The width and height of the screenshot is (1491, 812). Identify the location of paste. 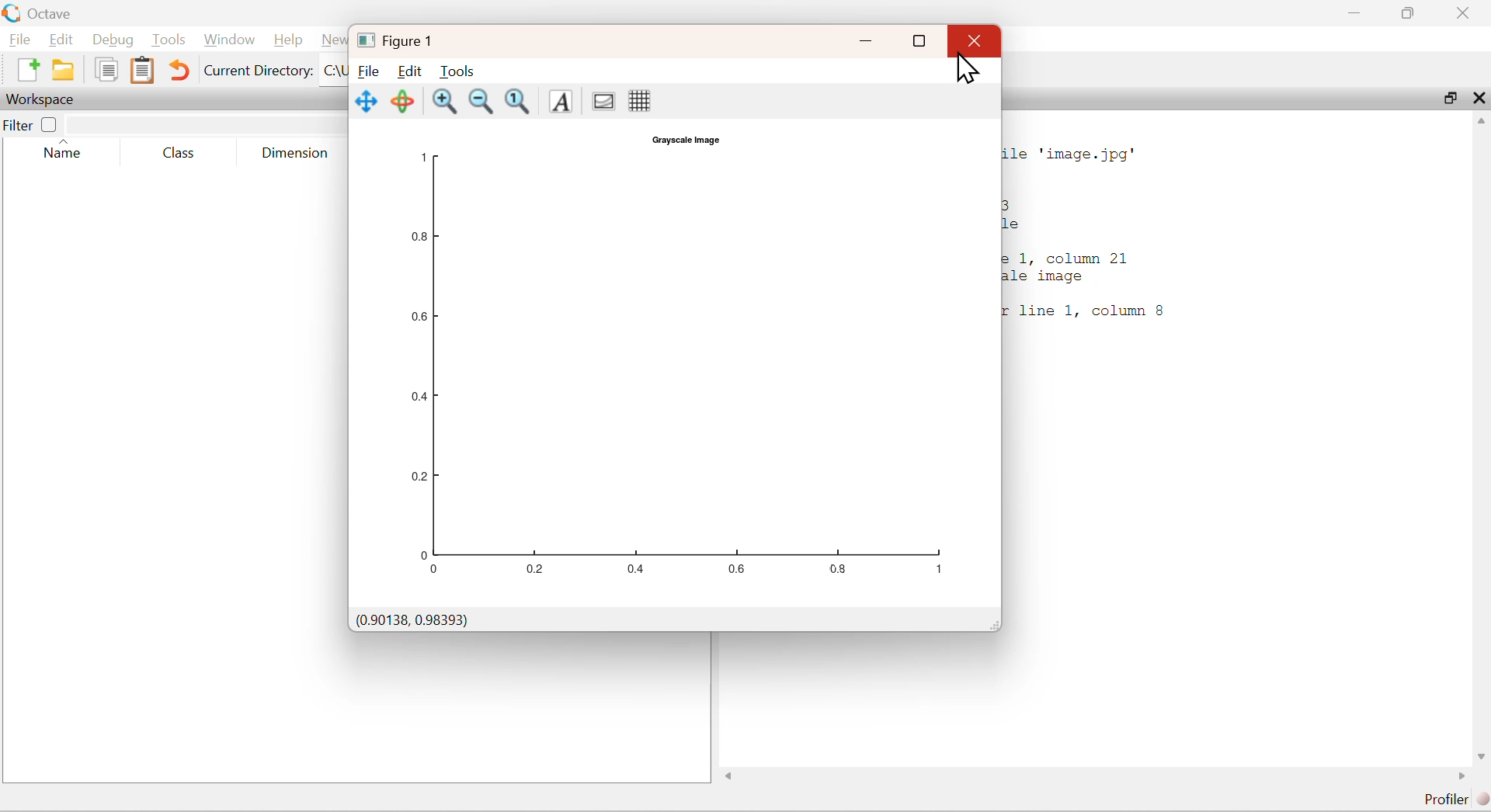
(143, 71).